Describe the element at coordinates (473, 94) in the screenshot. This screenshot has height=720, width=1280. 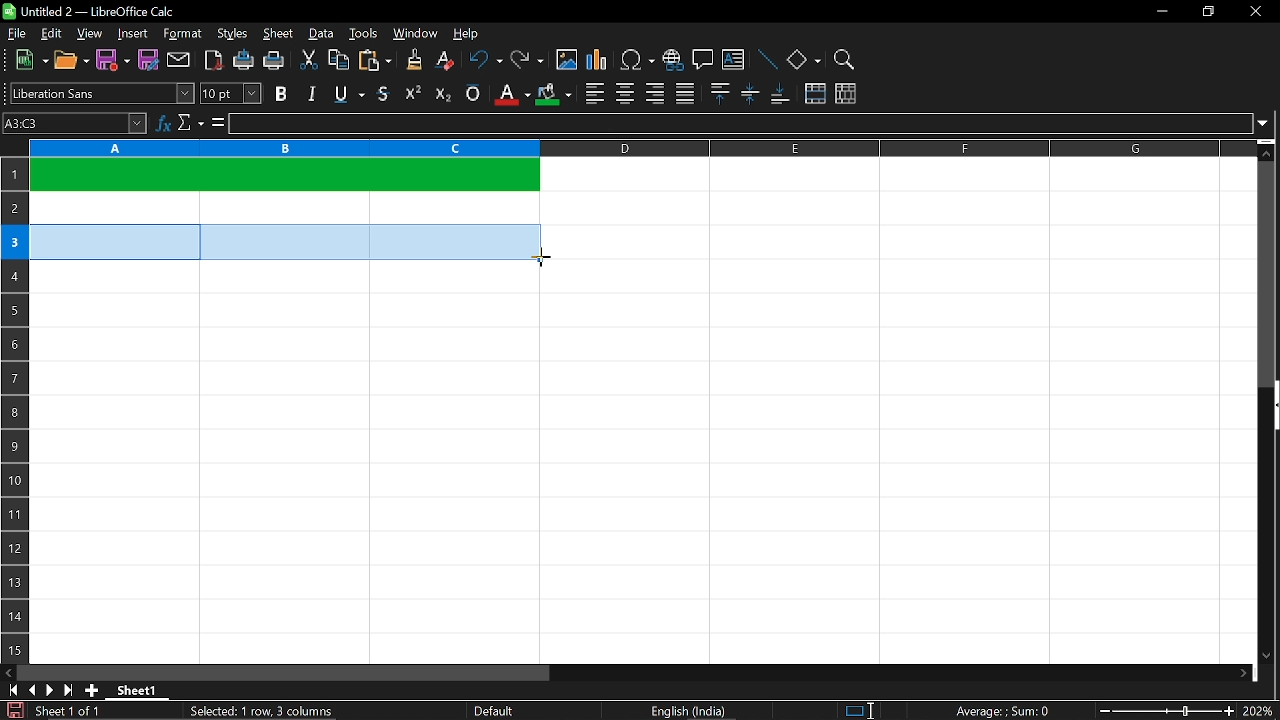
I see `overline` at that location.